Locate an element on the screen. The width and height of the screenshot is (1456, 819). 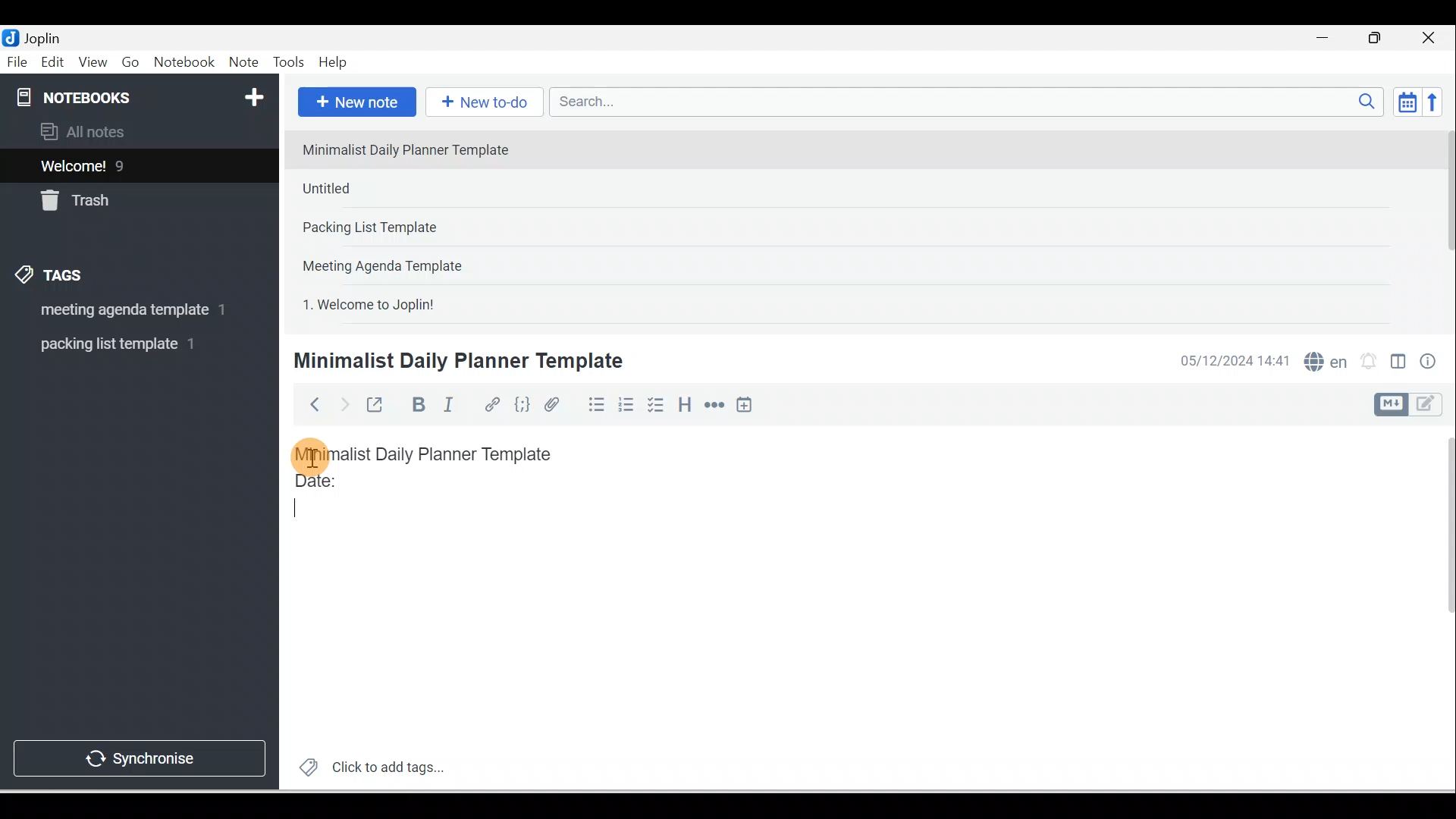
View is located at coordinates (93, 63).